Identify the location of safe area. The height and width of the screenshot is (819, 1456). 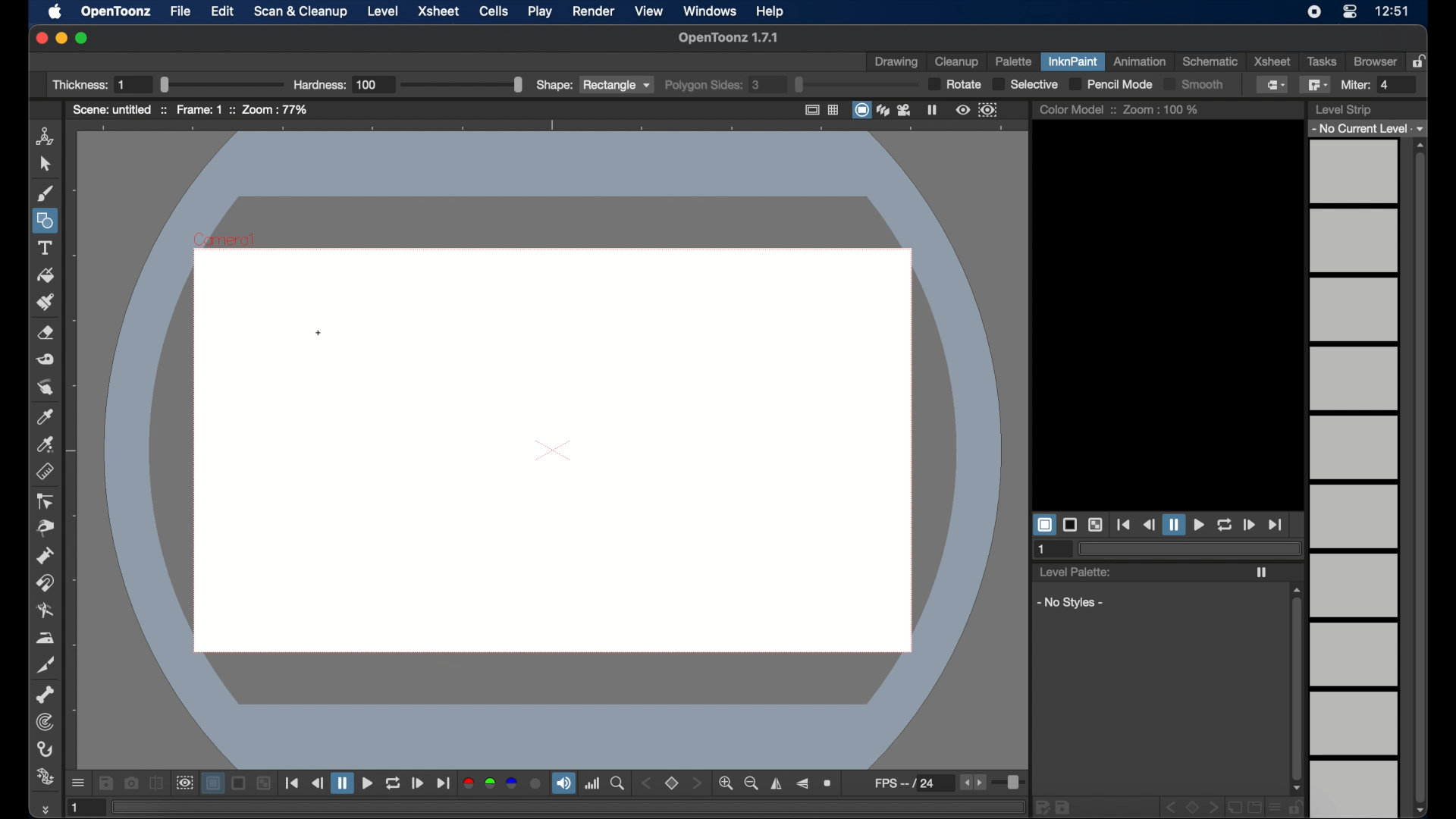
(810, 109).